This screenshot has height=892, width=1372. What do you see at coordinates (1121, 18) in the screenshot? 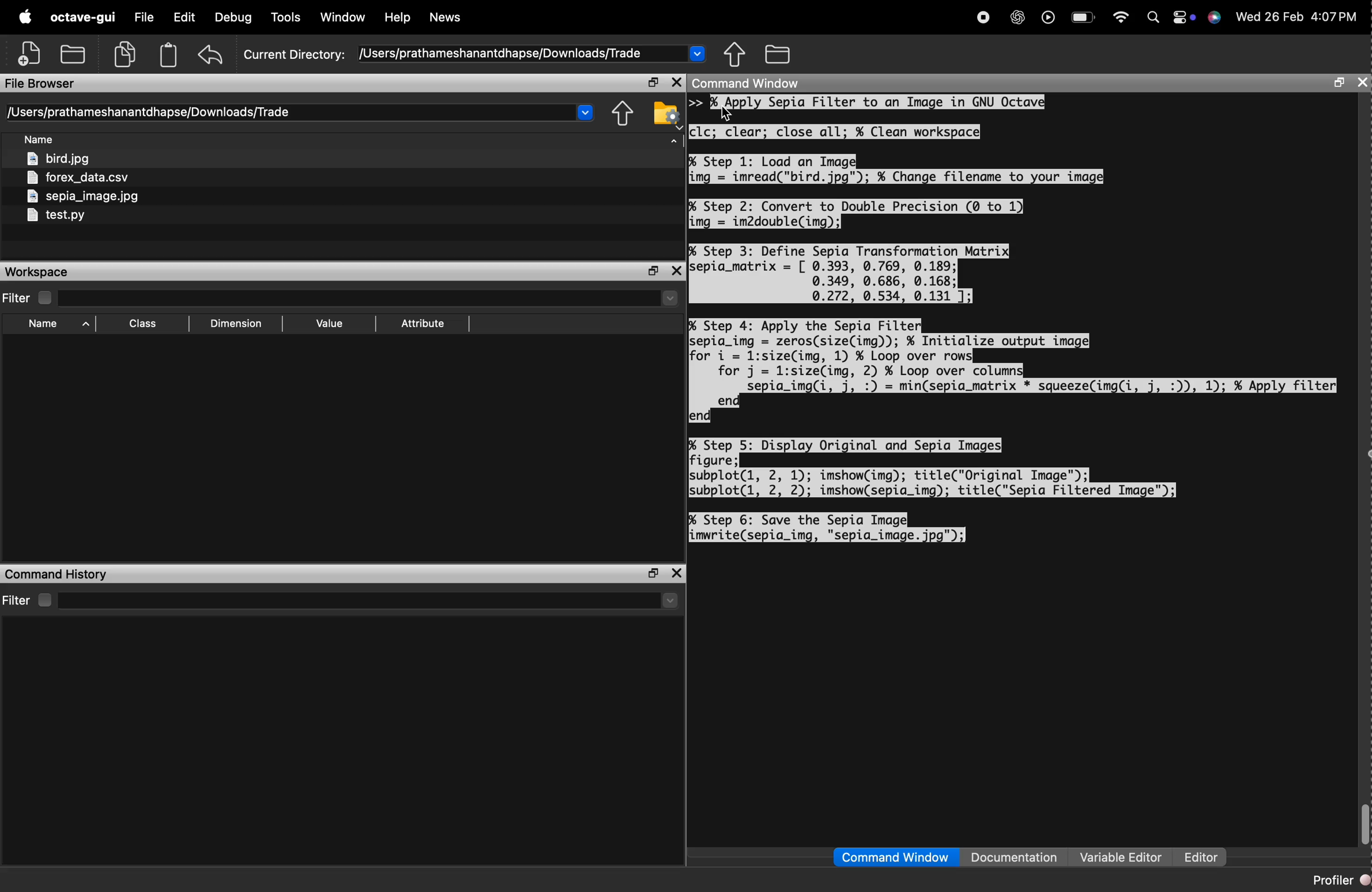
I see `wifi` at bounding box center [1121, 18].